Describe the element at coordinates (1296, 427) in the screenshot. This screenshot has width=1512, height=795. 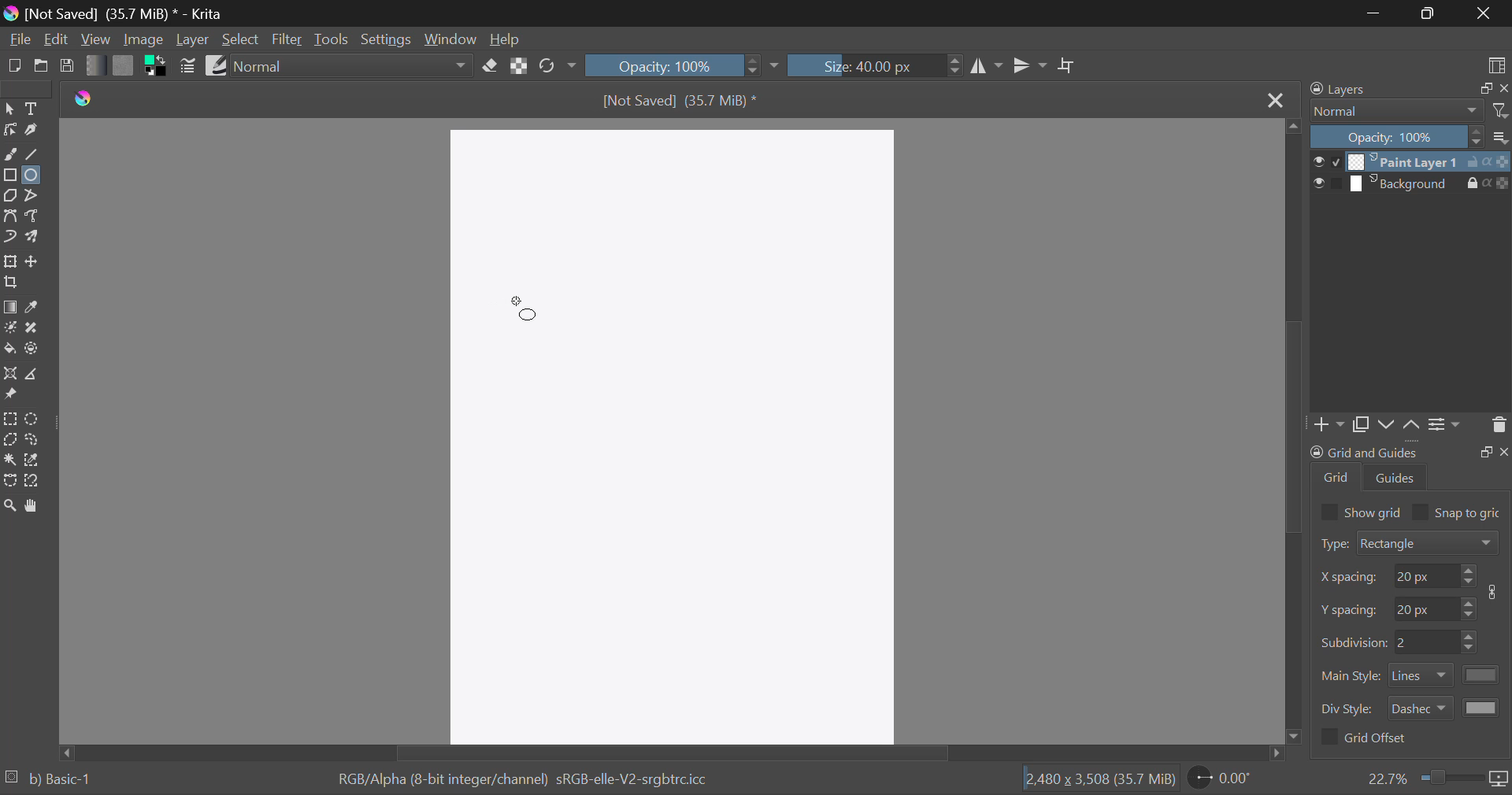
I see `Scroll Bar` at that location.